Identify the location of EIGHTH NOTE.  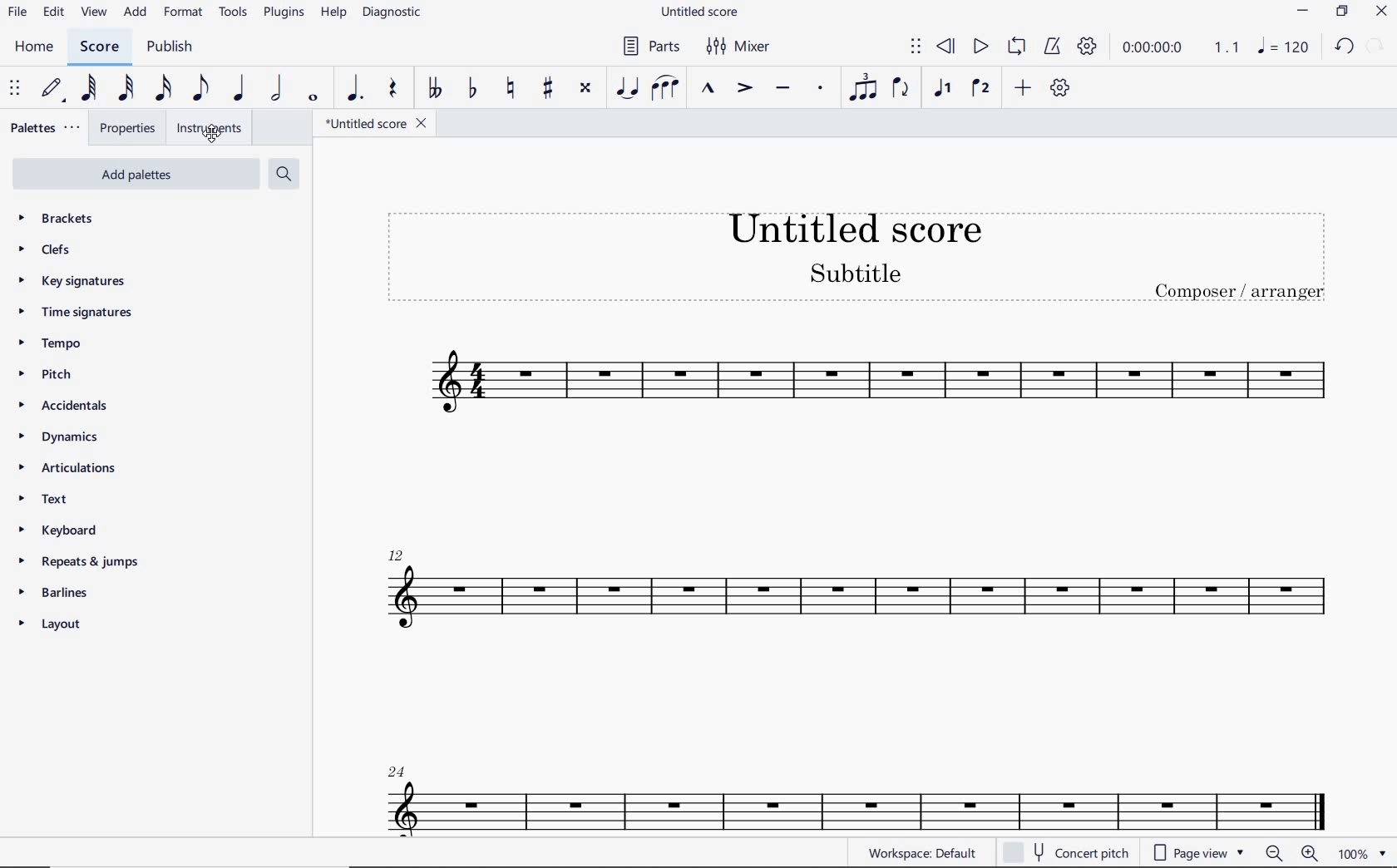
(201, 89).